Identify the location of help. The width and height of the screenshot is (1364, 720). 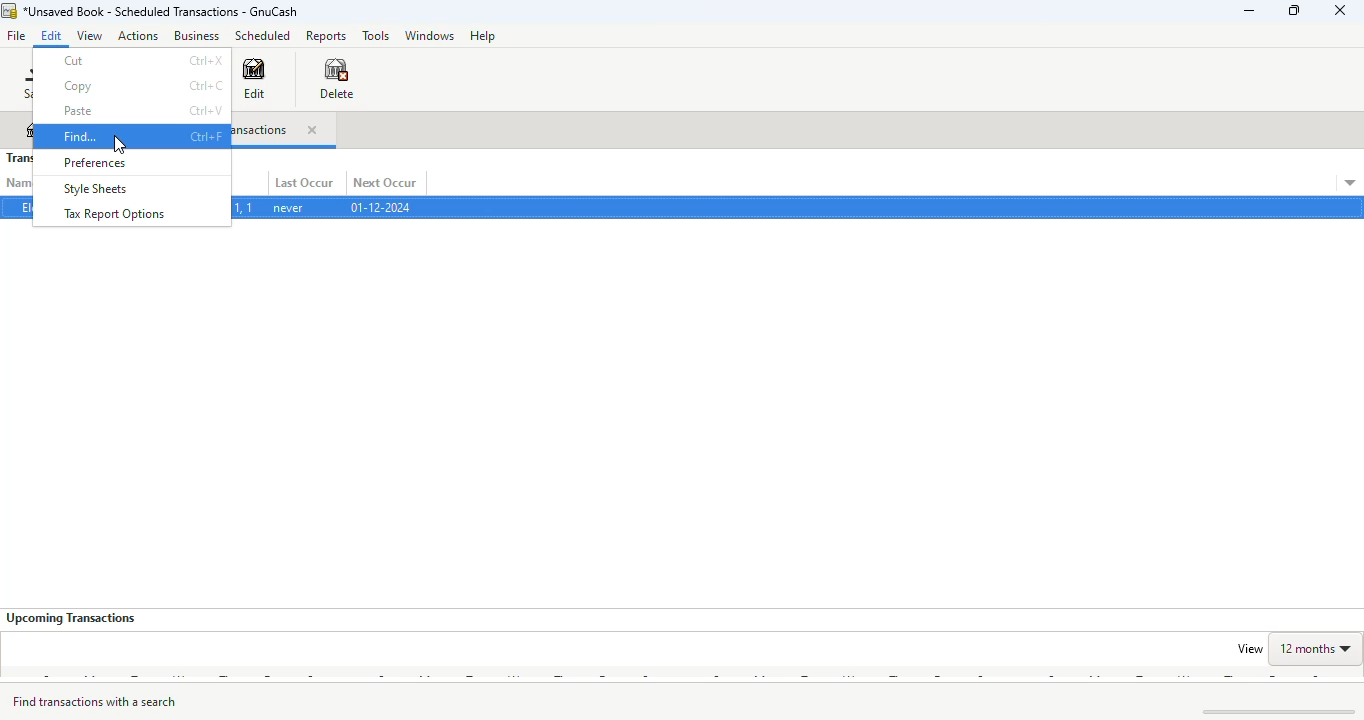
(483, 36).